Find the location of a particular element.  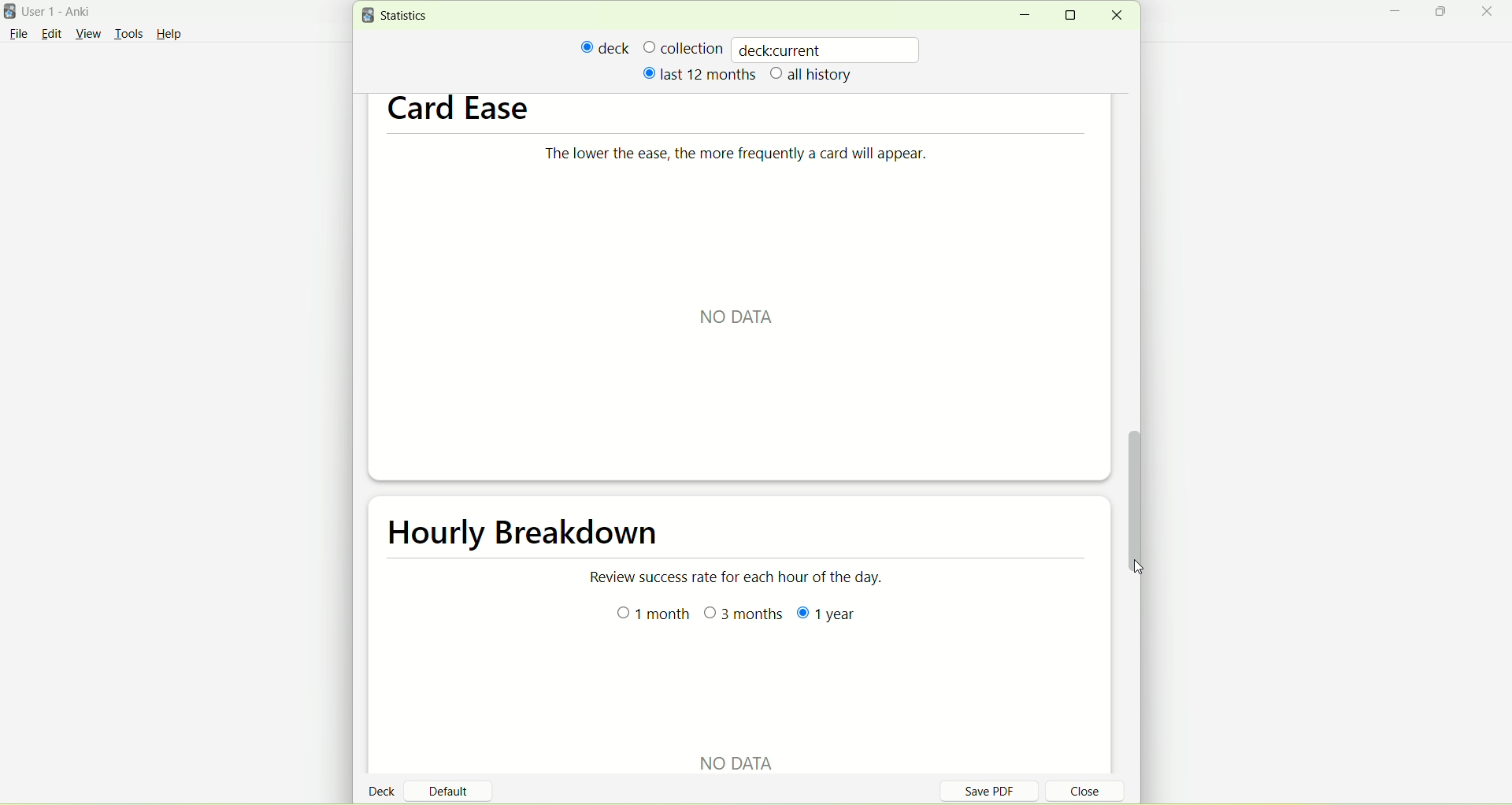

all history is located at coordinates (812, 76).